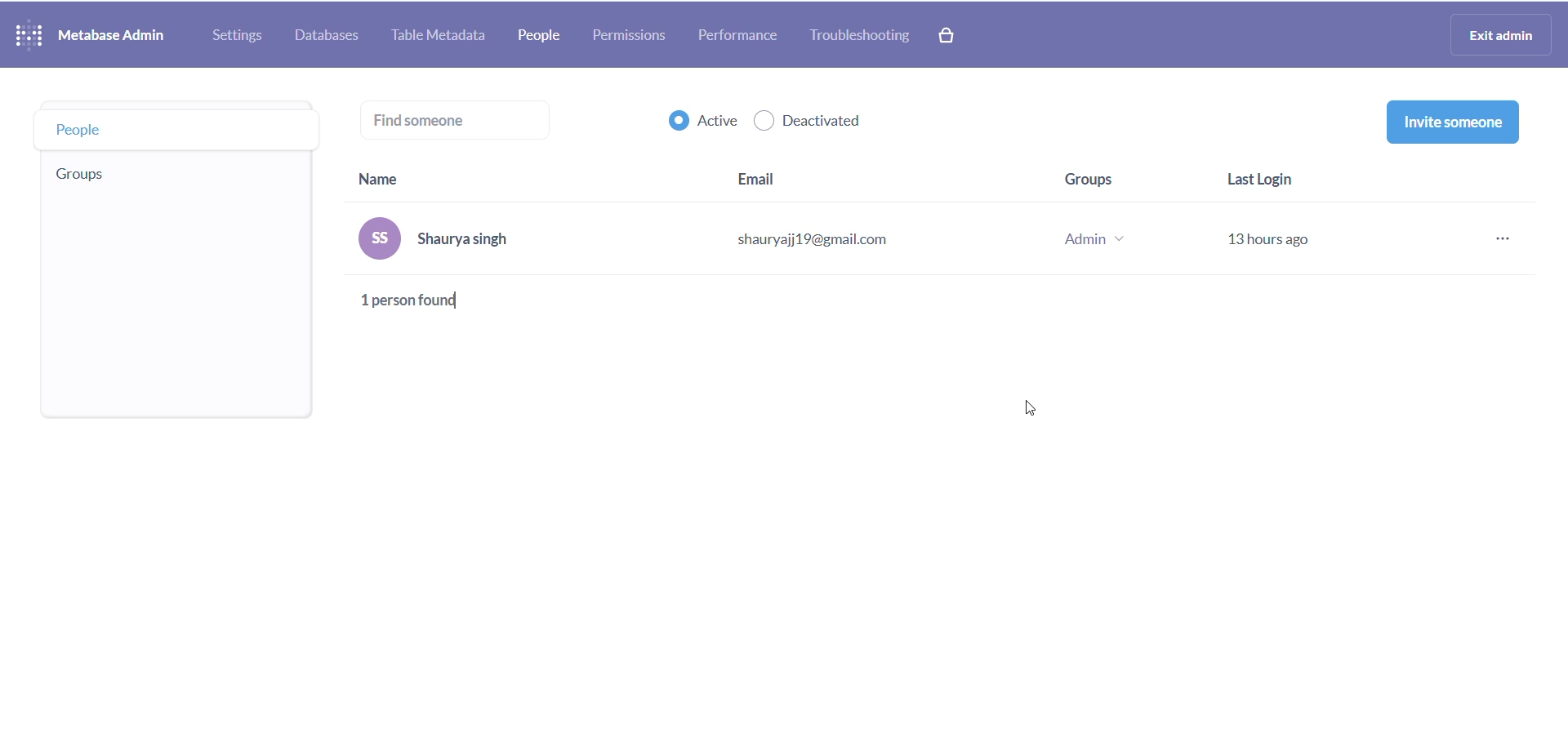 Image resolution: width=1568 pixels, height=743 pixels. What do you see at coordinates (325, 35) in the screenshot?
I see `database` at bounding box center [325, 35].